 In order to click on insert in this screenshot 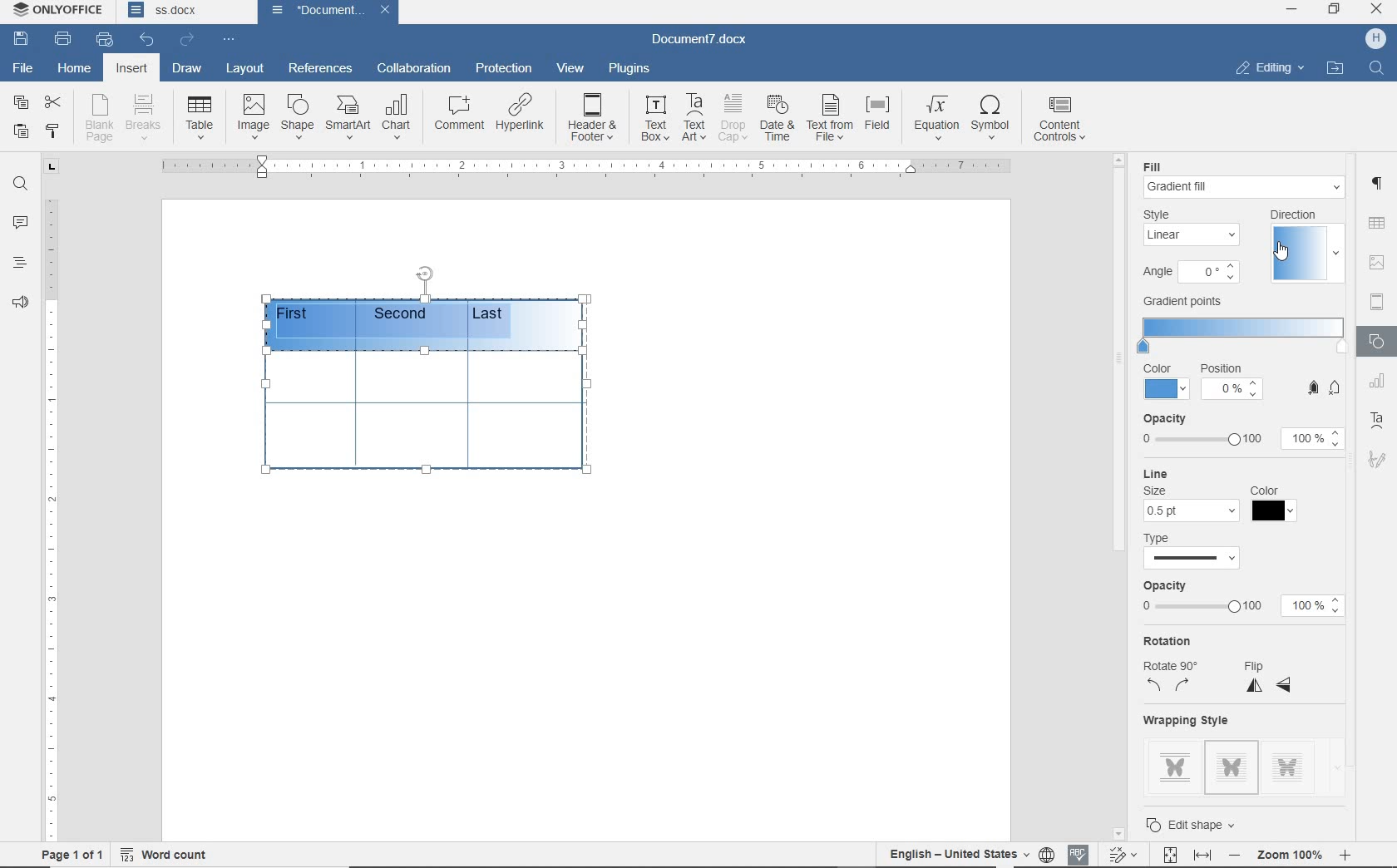, I will do `click(131, 70)`.